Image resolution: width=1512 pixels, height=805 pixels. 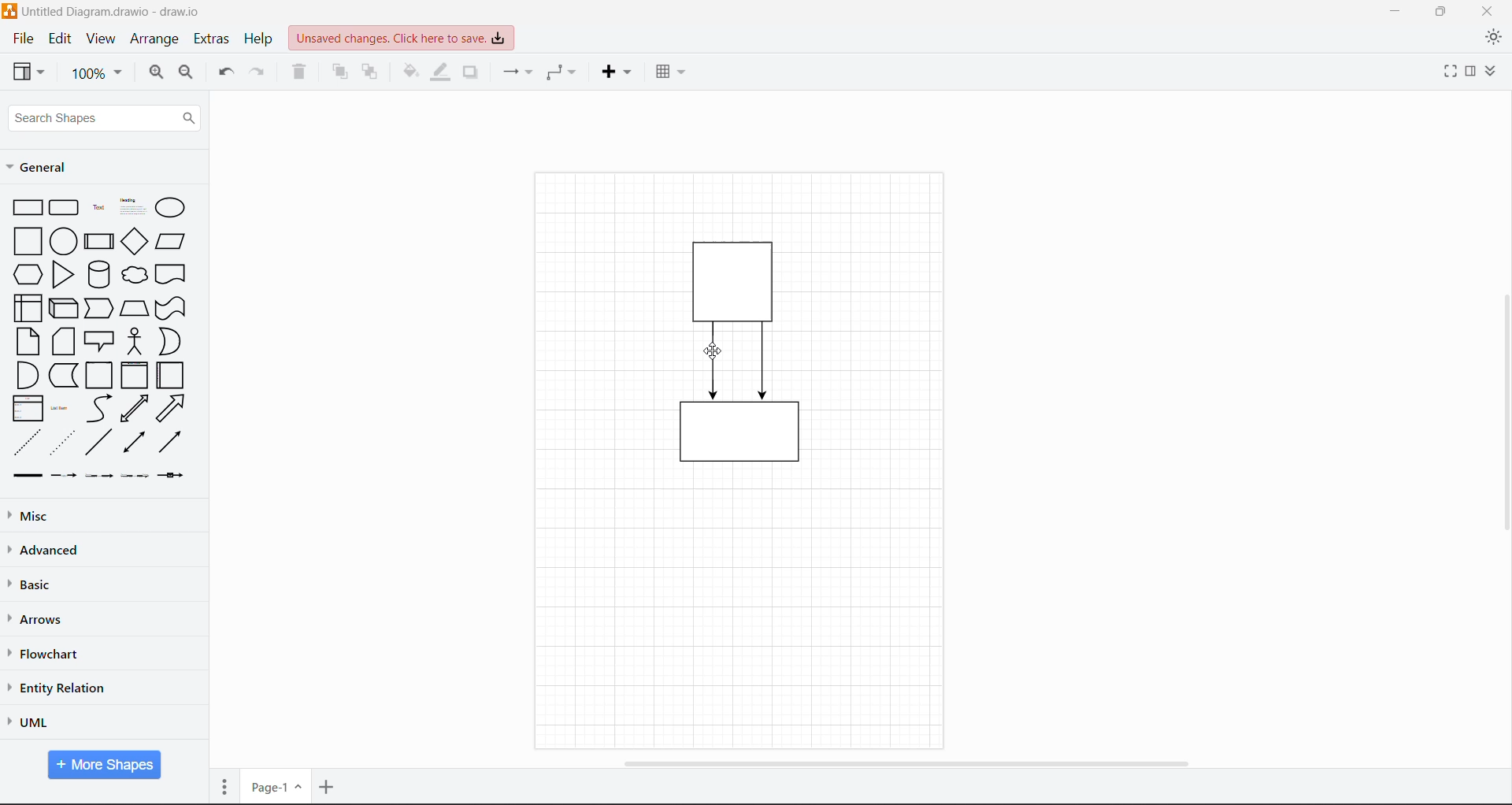 What do you see at coordinates (22, 39) in the screenshot?
I see `File` at bounding box center [22, 39].